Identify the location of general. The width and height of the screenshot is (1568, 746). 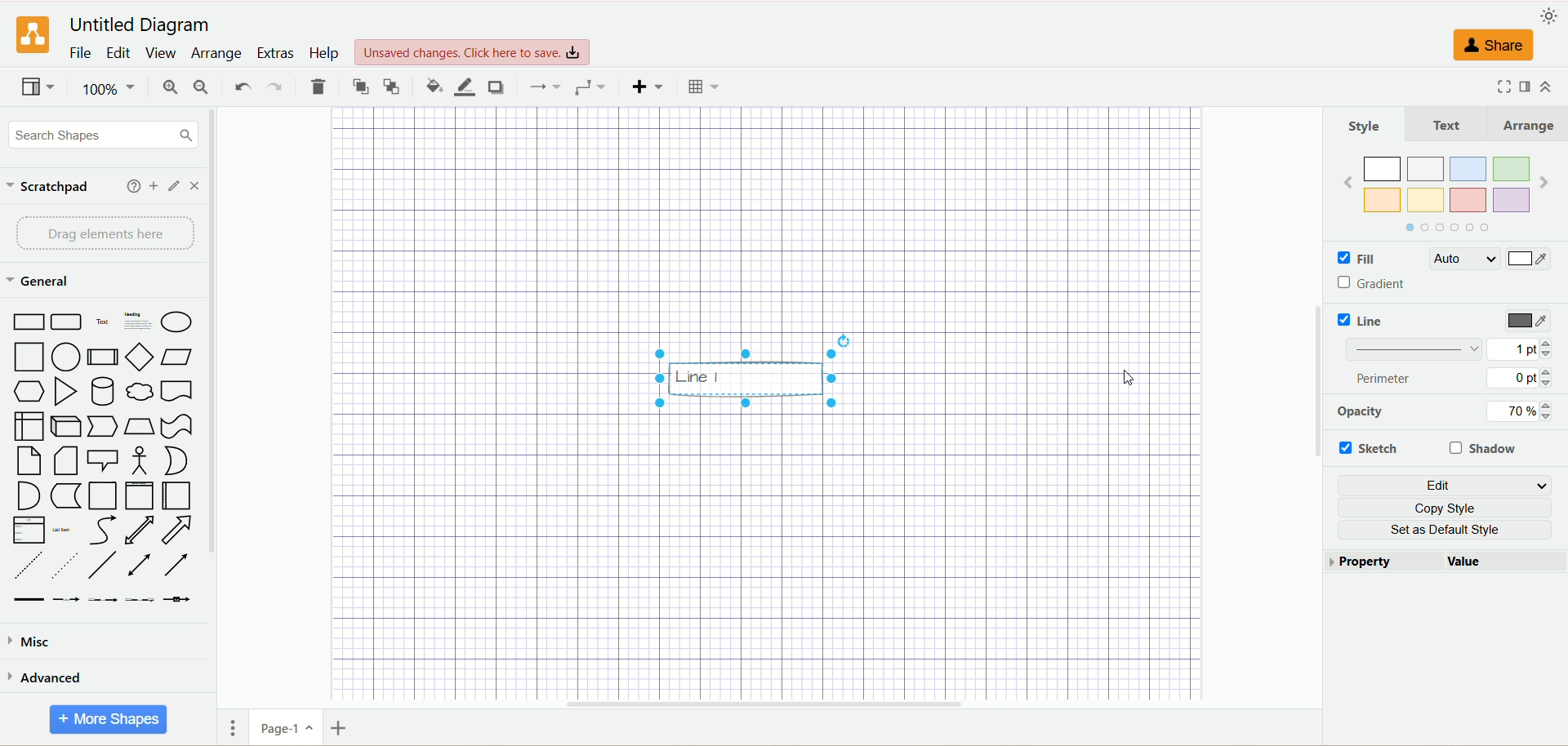
(40, 280).